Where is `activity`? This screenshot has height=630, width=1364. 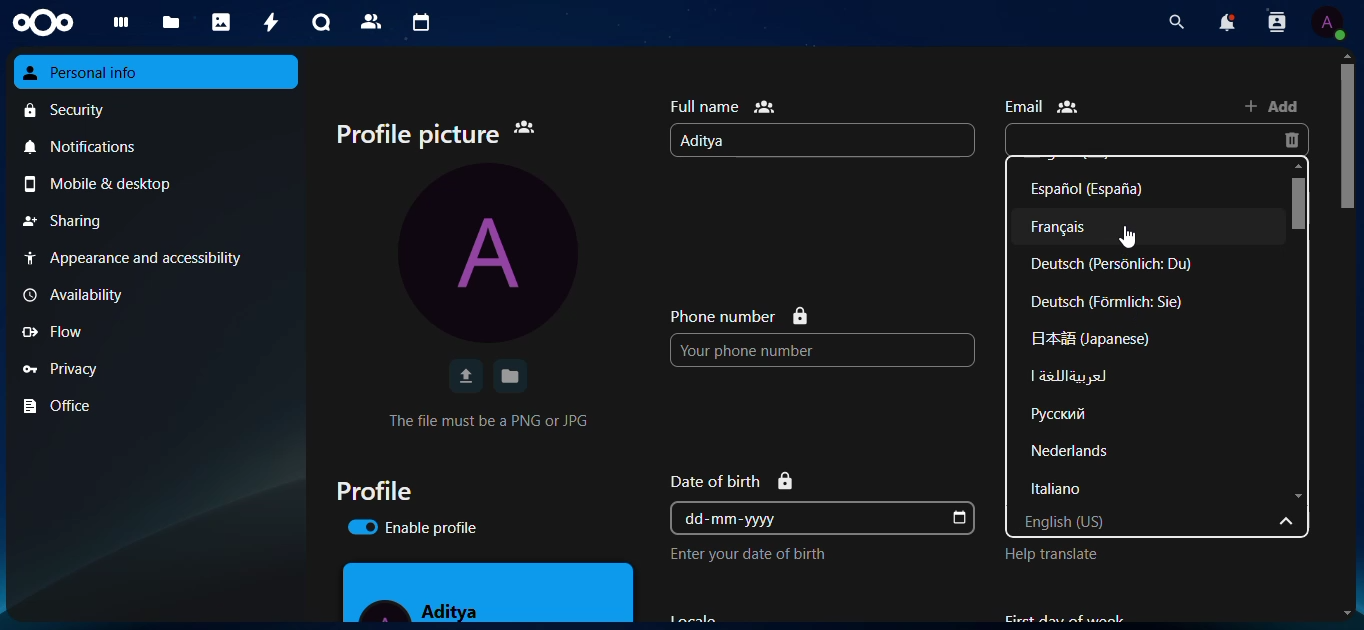 activity is located at coordinates (266, 22).